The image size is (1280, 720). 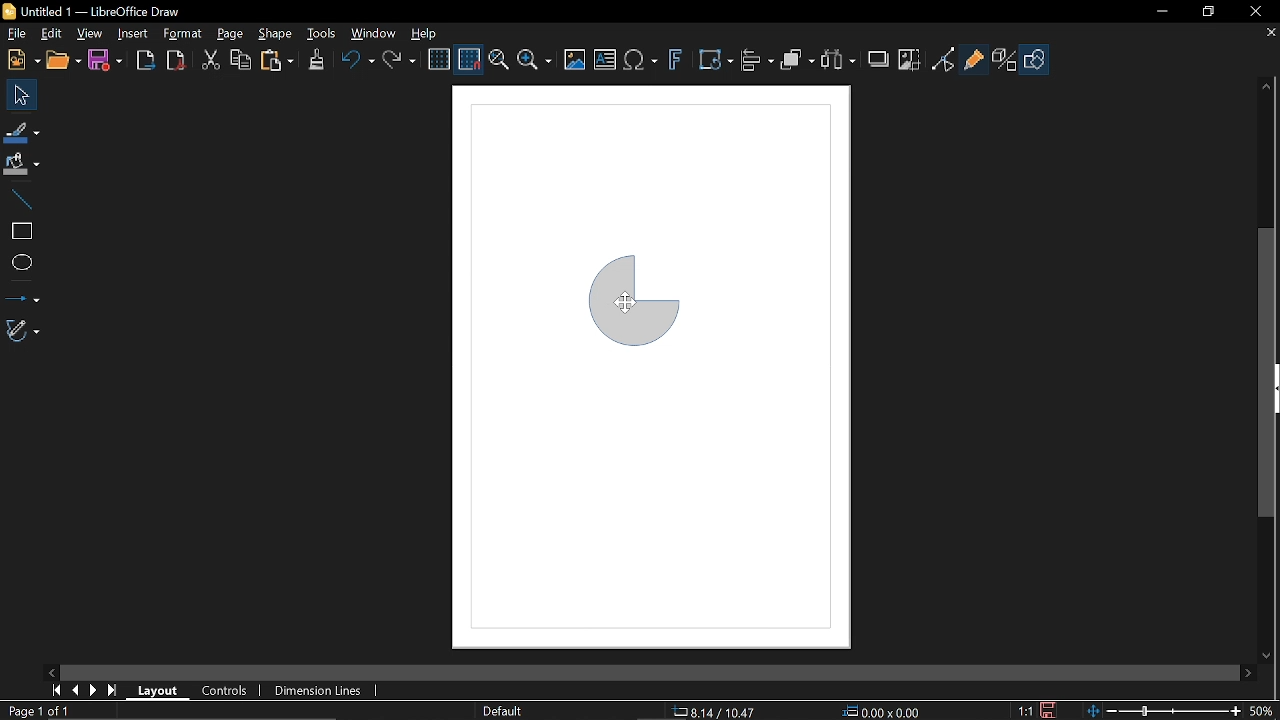 What do you see at coordinates (945, 60) in the screenshot?
I see `Toggle ` at bounding box center [945, 60].